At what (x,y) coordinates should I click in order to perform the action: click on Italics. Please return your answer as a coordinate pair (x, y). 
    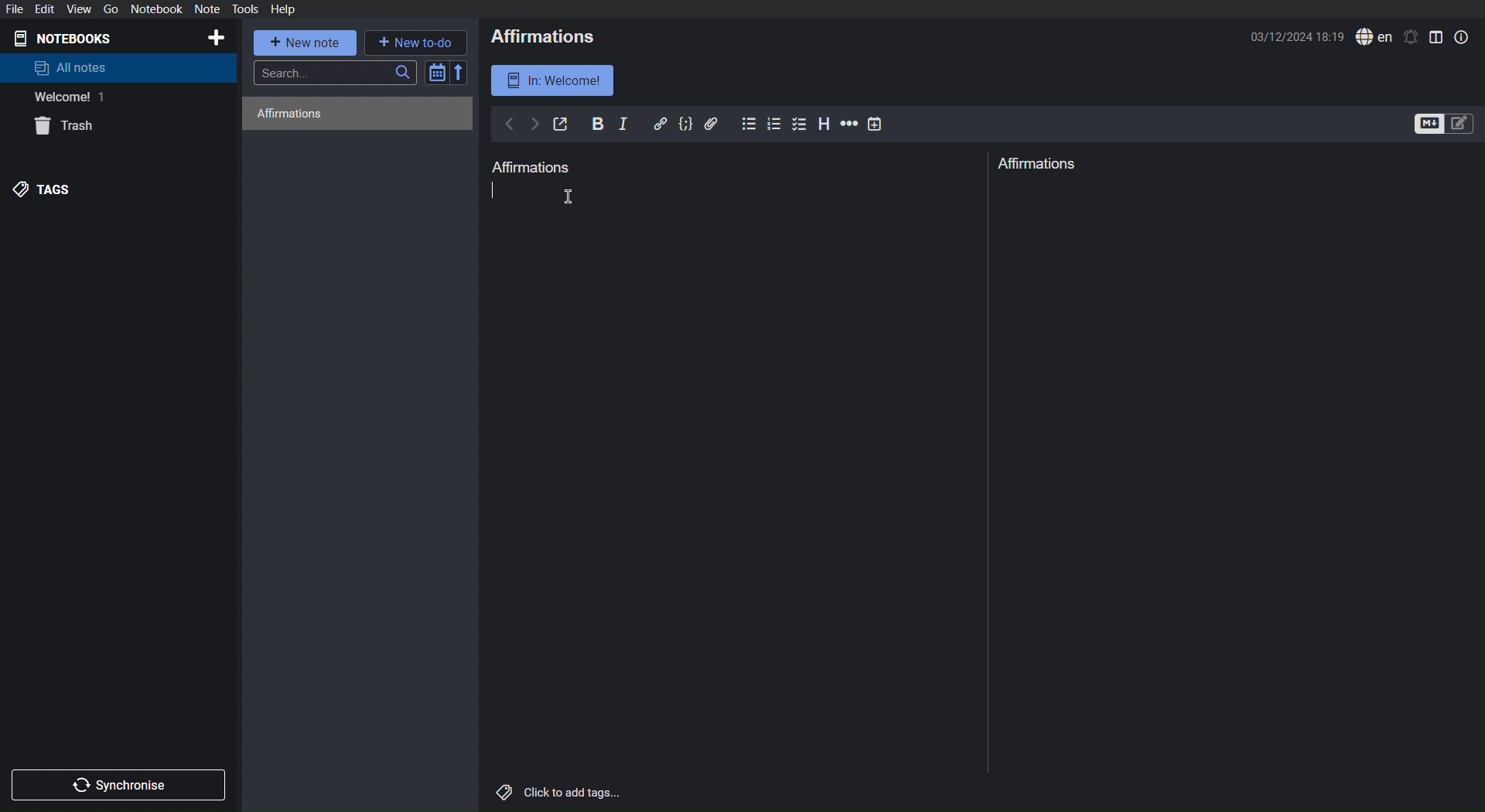
    Looking at the image, I should click on (624, 124).